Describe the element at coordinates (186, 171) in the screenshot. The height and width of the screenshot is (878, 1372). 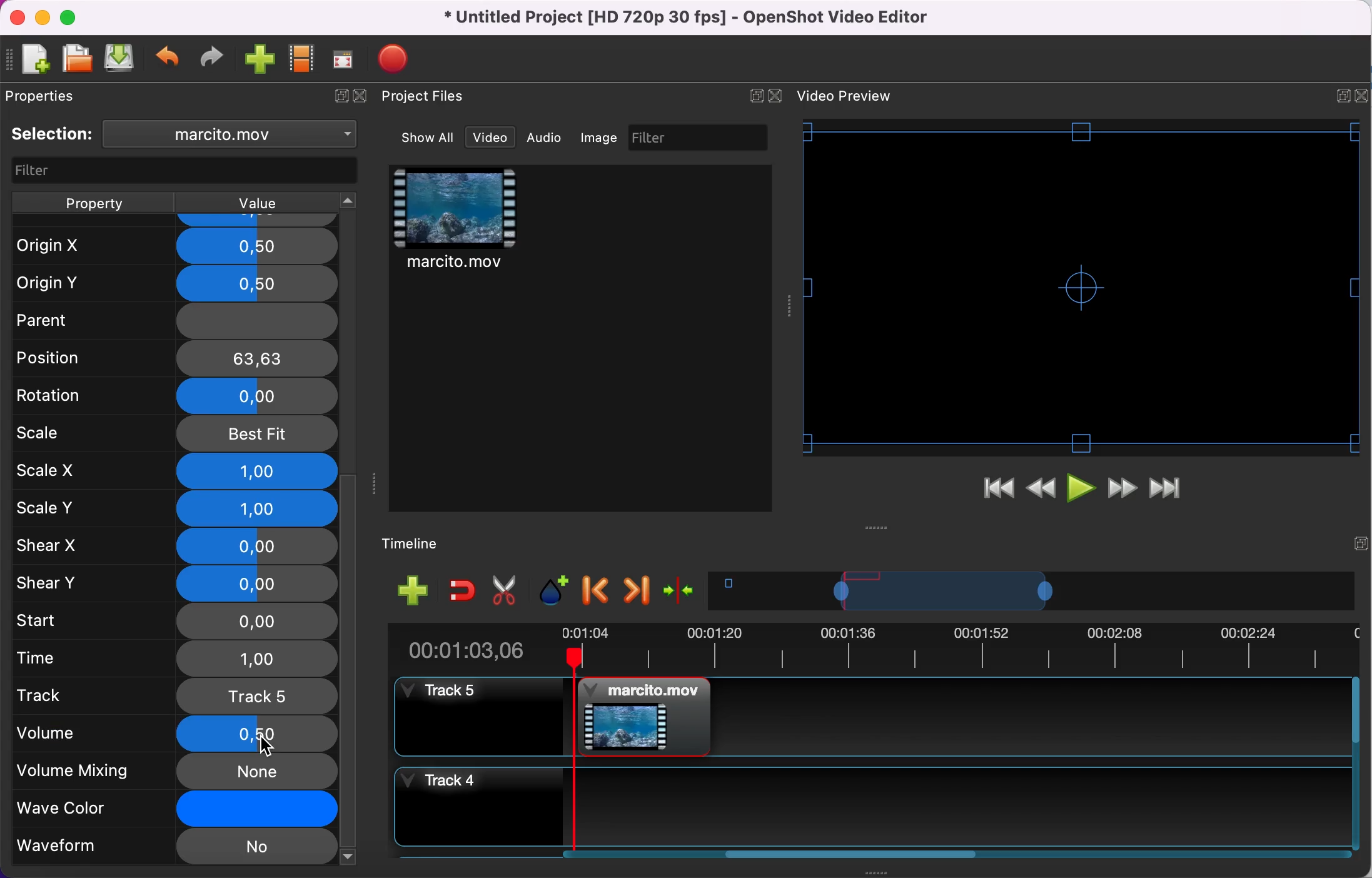
I see `filter` at that location.